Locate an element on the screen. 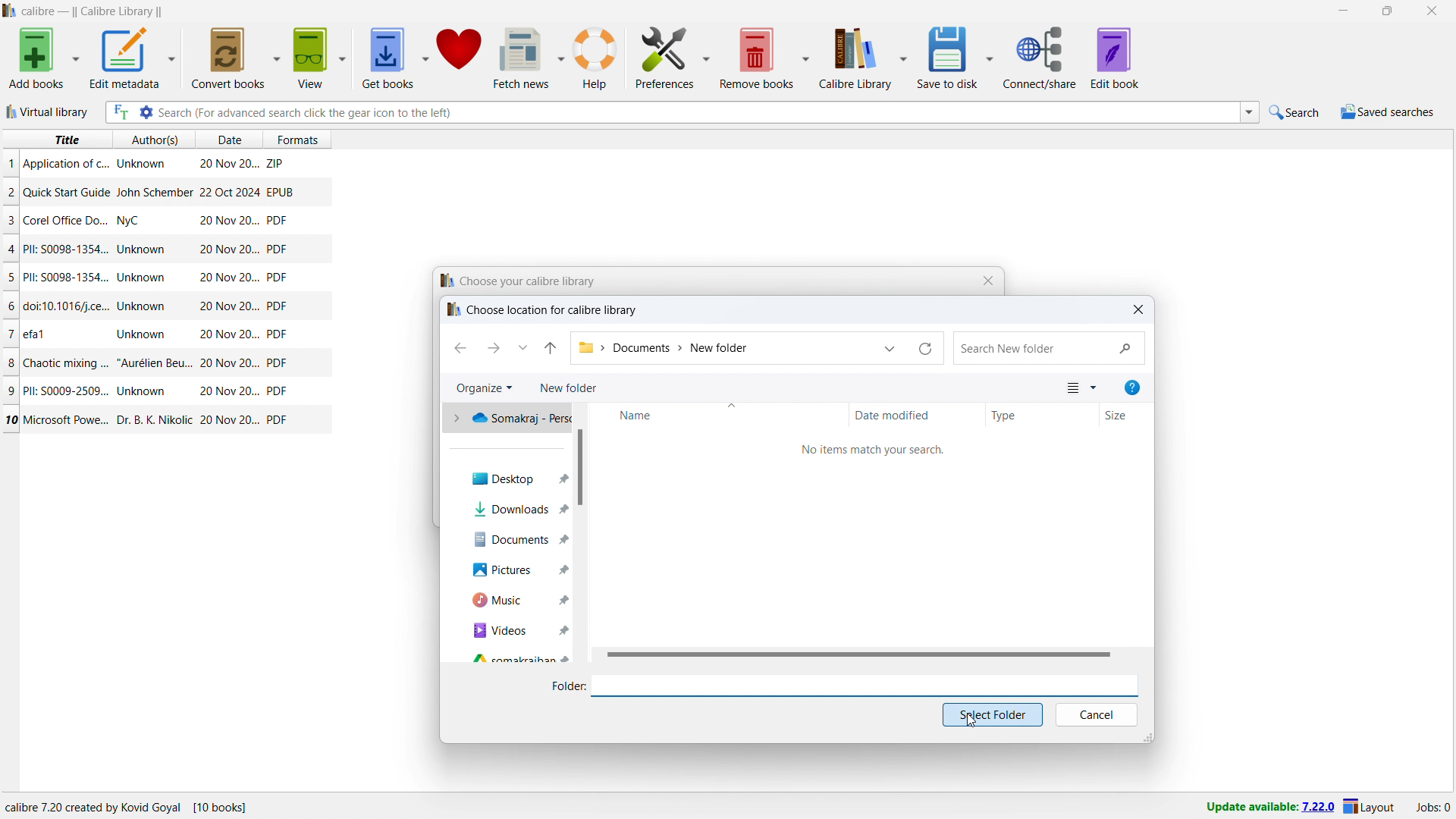 The width and height of the screenshot is (1456, 819). Folder is located at coordinates (560, 686).